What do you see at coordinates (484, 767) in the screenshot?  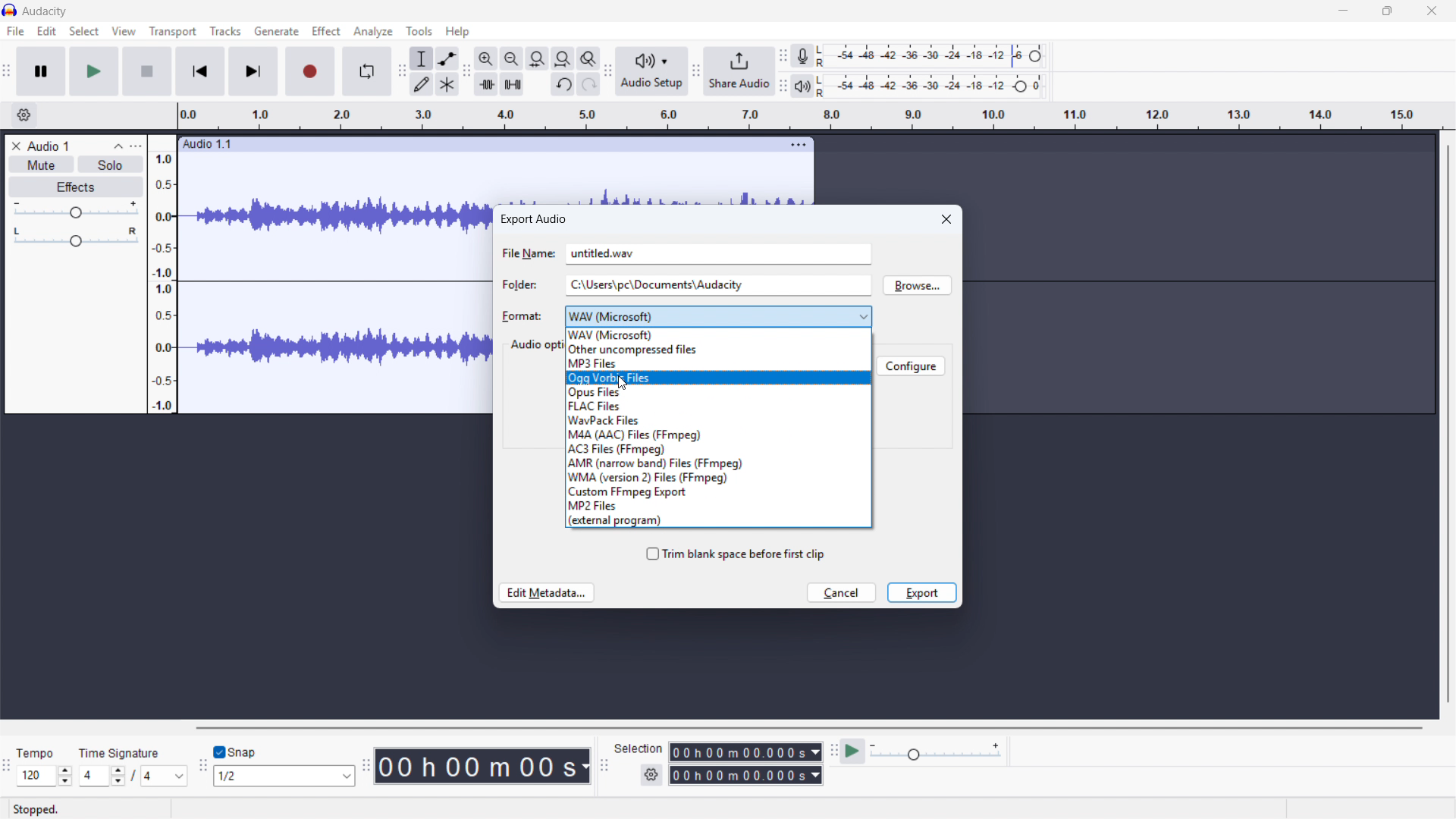 I see `Timestamp ` at bounding box center [484, 767].